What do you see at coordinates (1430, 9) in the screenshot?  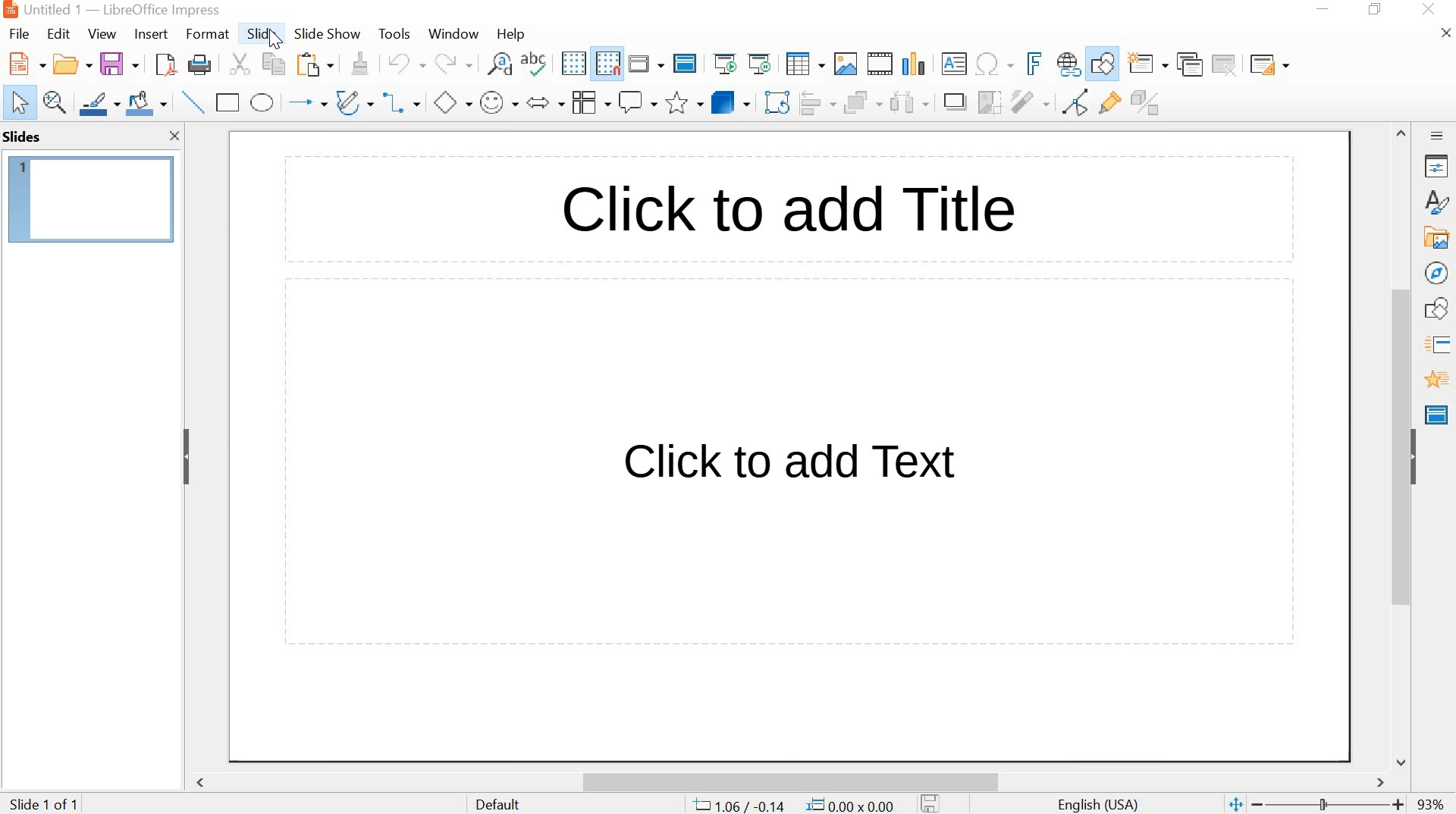 I see `CLOSE` at bounding box center [1430, 9].